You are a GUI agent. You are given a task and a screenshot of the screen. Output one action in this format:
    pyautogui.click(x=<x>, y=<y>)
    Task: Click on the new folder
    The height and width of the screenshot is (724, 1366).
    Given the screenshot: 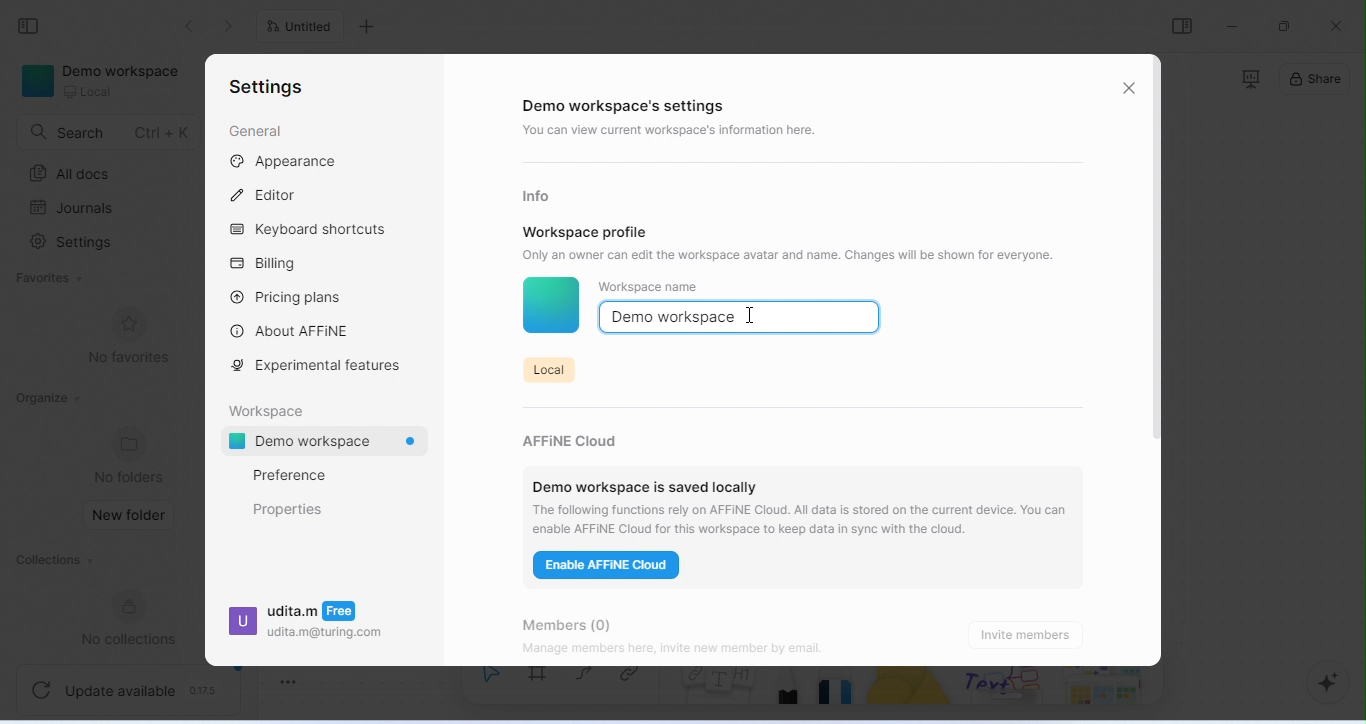 What is the action you would take?
    pyautogui.click(x=131, y=516)
    